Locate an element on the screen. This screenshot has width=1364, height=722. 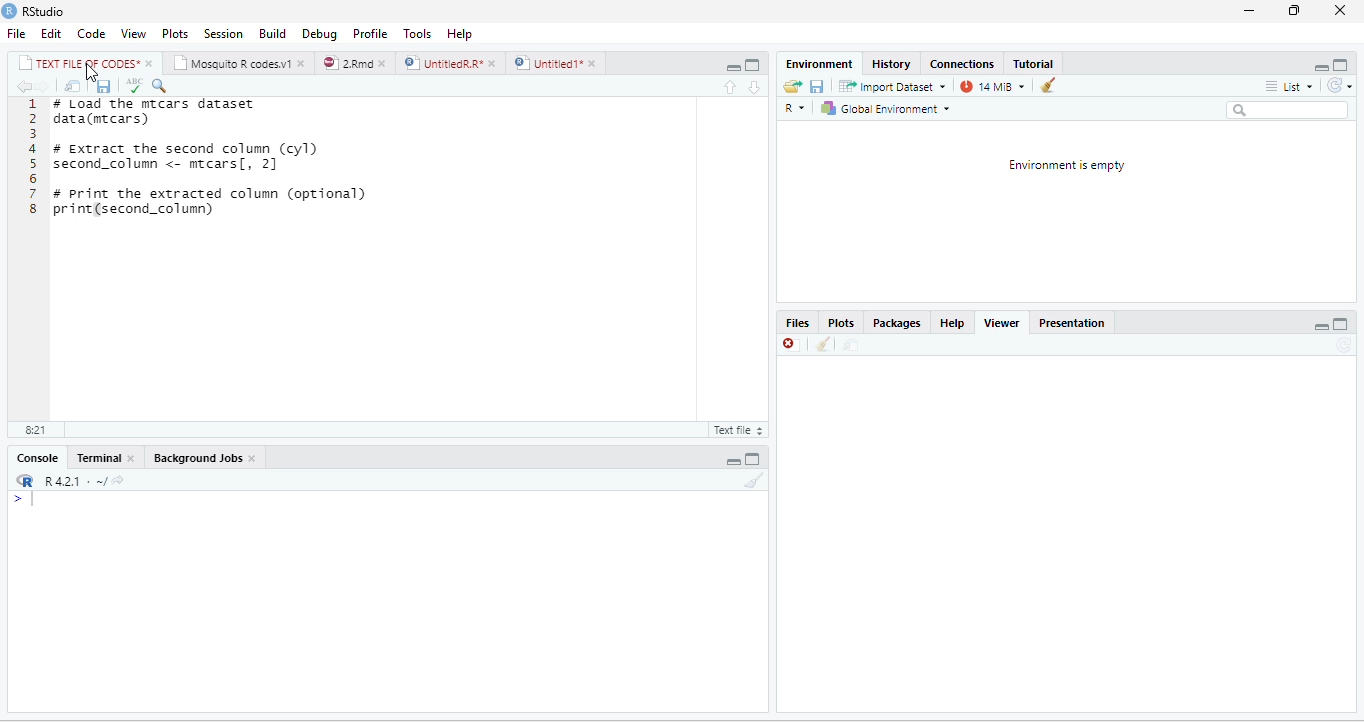
4 is located at coordinates (32, 149).